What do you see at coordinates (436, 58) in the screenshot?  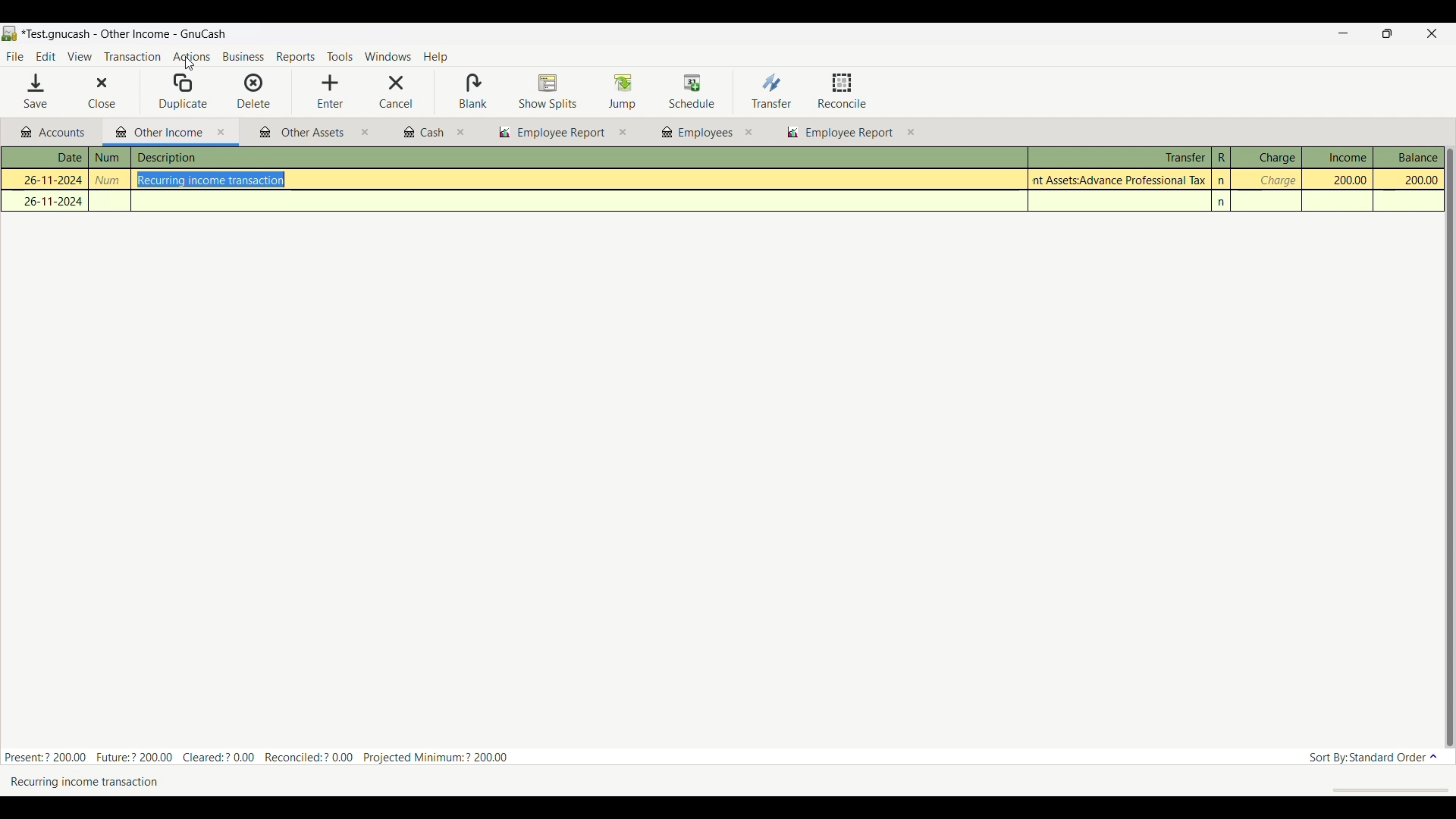 I see `Help menu` at bounding box center [436, 58].